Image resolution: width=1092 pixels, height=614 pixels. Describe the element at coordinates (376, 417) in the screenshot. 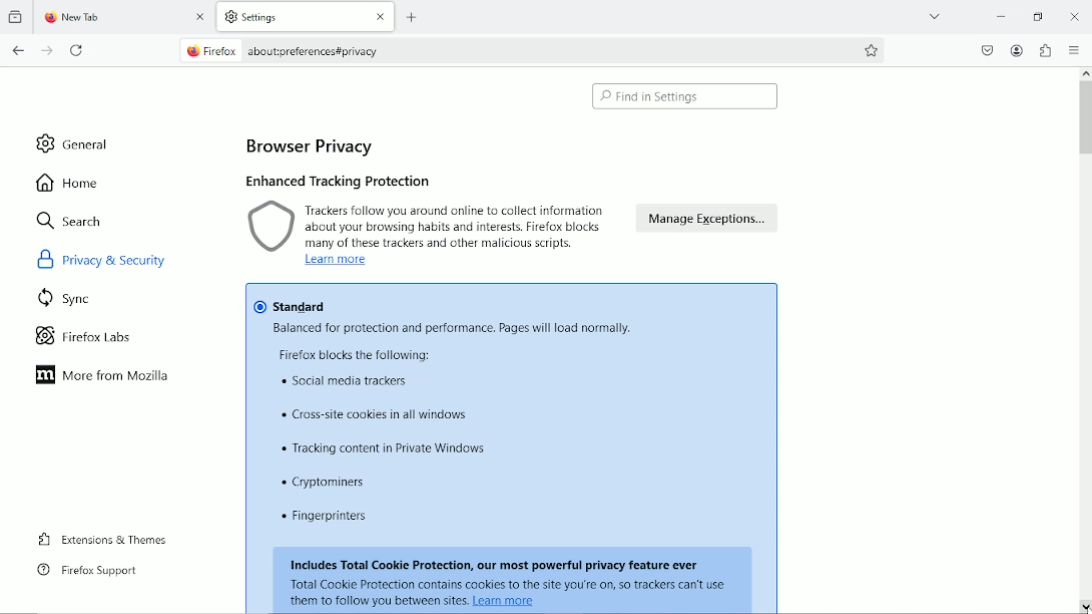

I see `|  Cross-site cookies in all windows` at that location.